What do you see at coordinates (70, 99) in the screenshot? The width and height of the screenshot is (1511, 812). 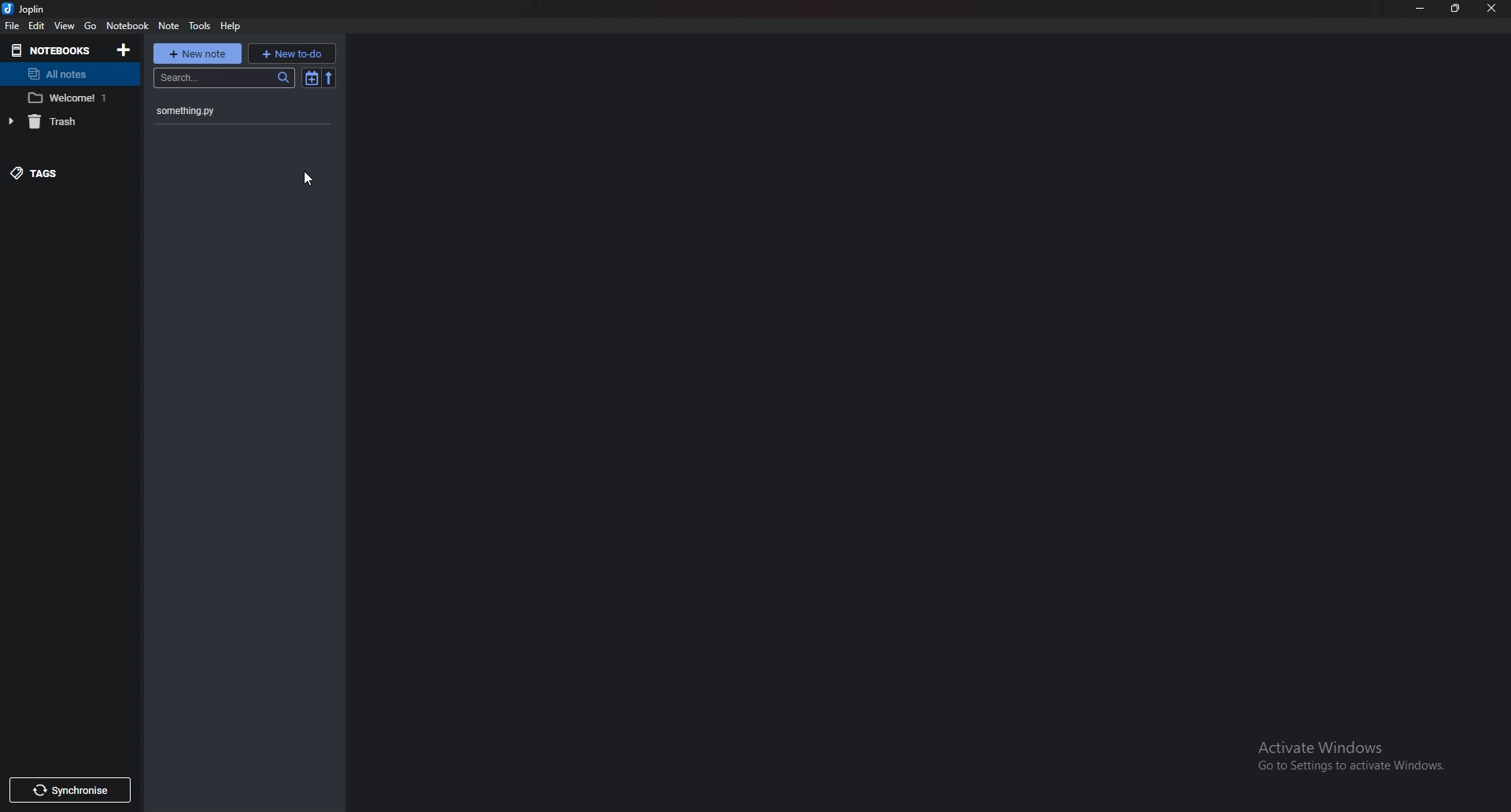 I see `welcome 1` at bounding box center [70, 99].